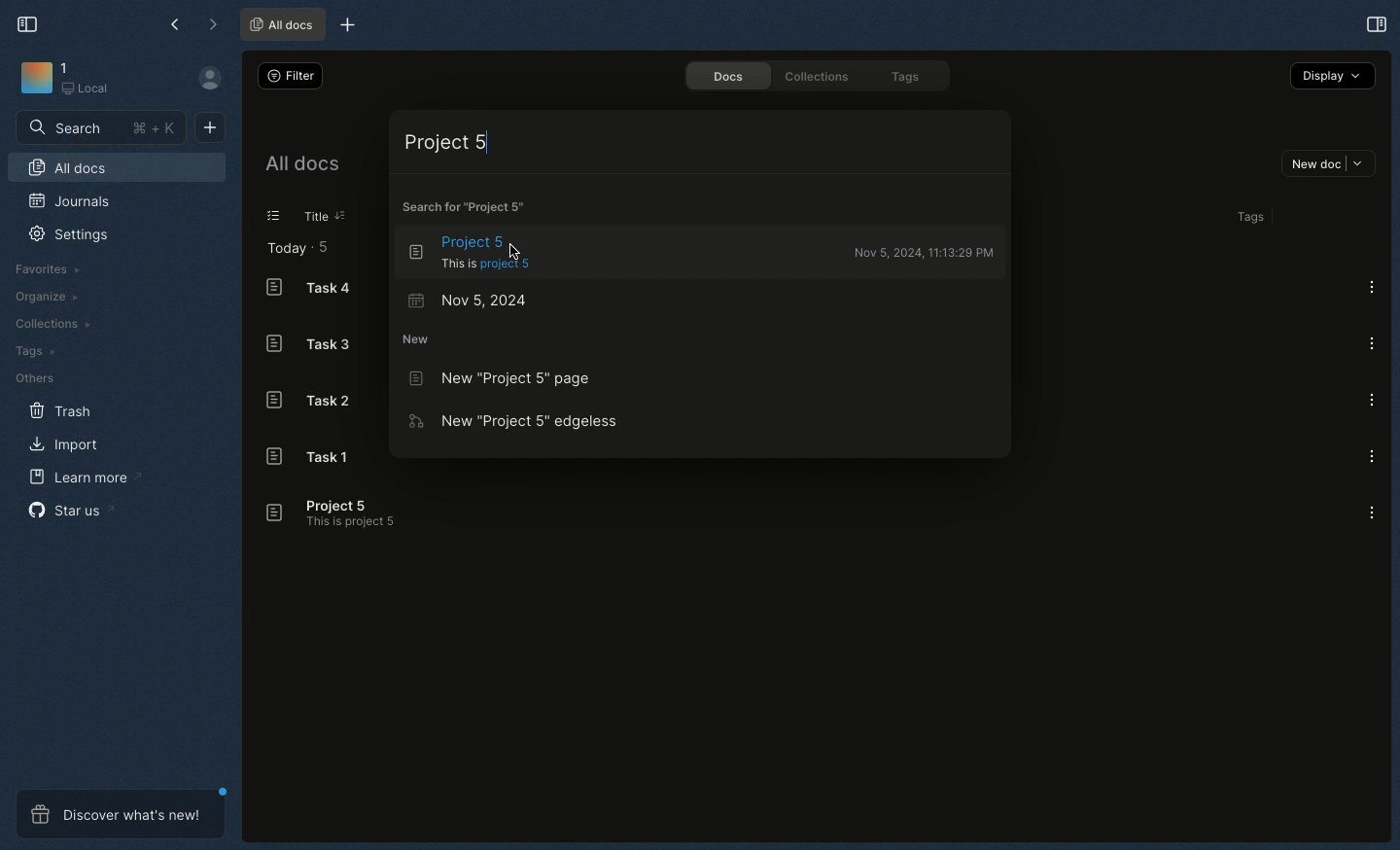  I want to click on New Project 5 page, so click(494, 375).